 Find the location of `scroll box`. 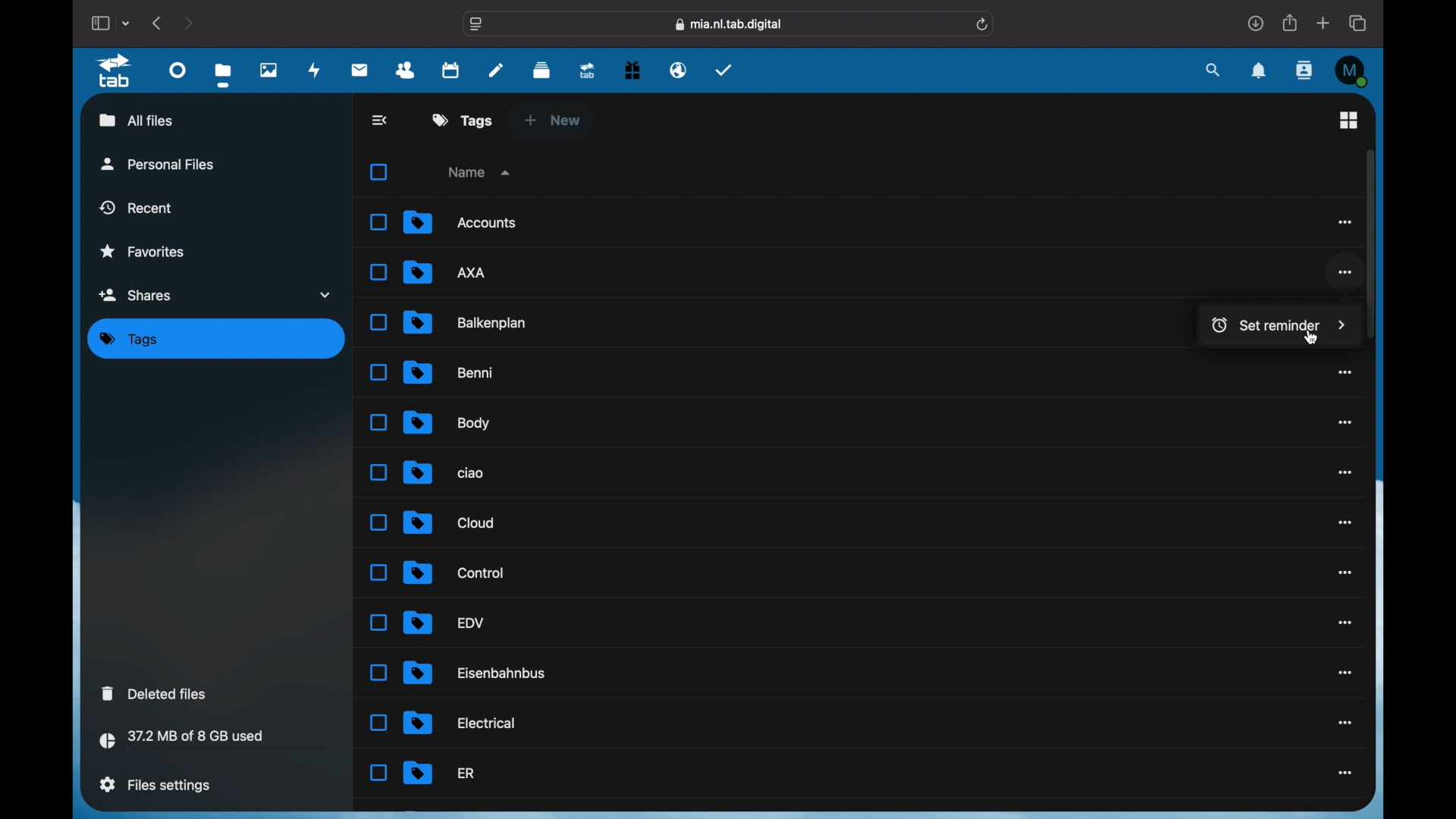

scroll box is located at coordinates (1370, 243).